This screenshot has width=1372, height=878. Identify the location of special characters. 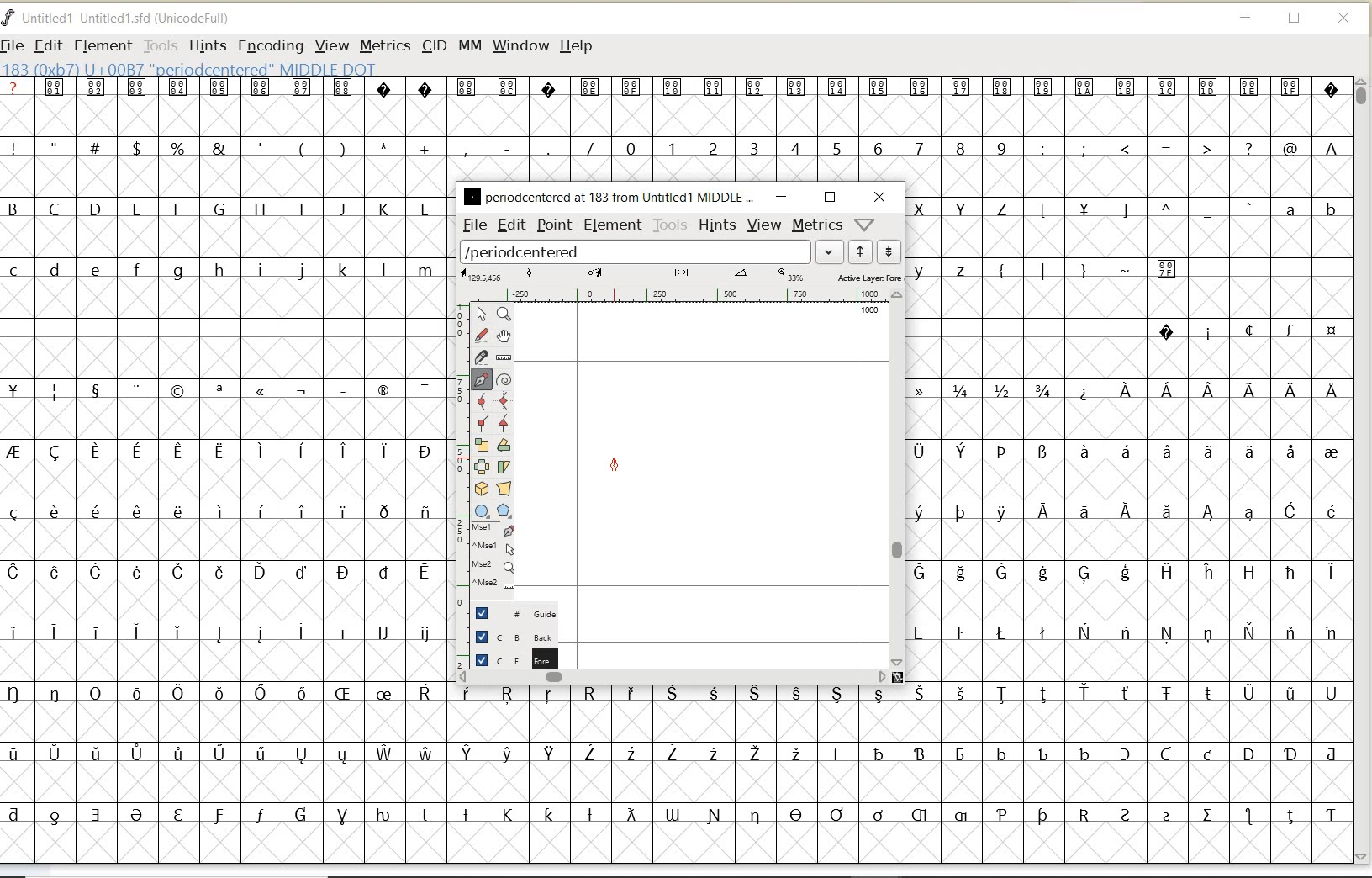
(1247, 331).